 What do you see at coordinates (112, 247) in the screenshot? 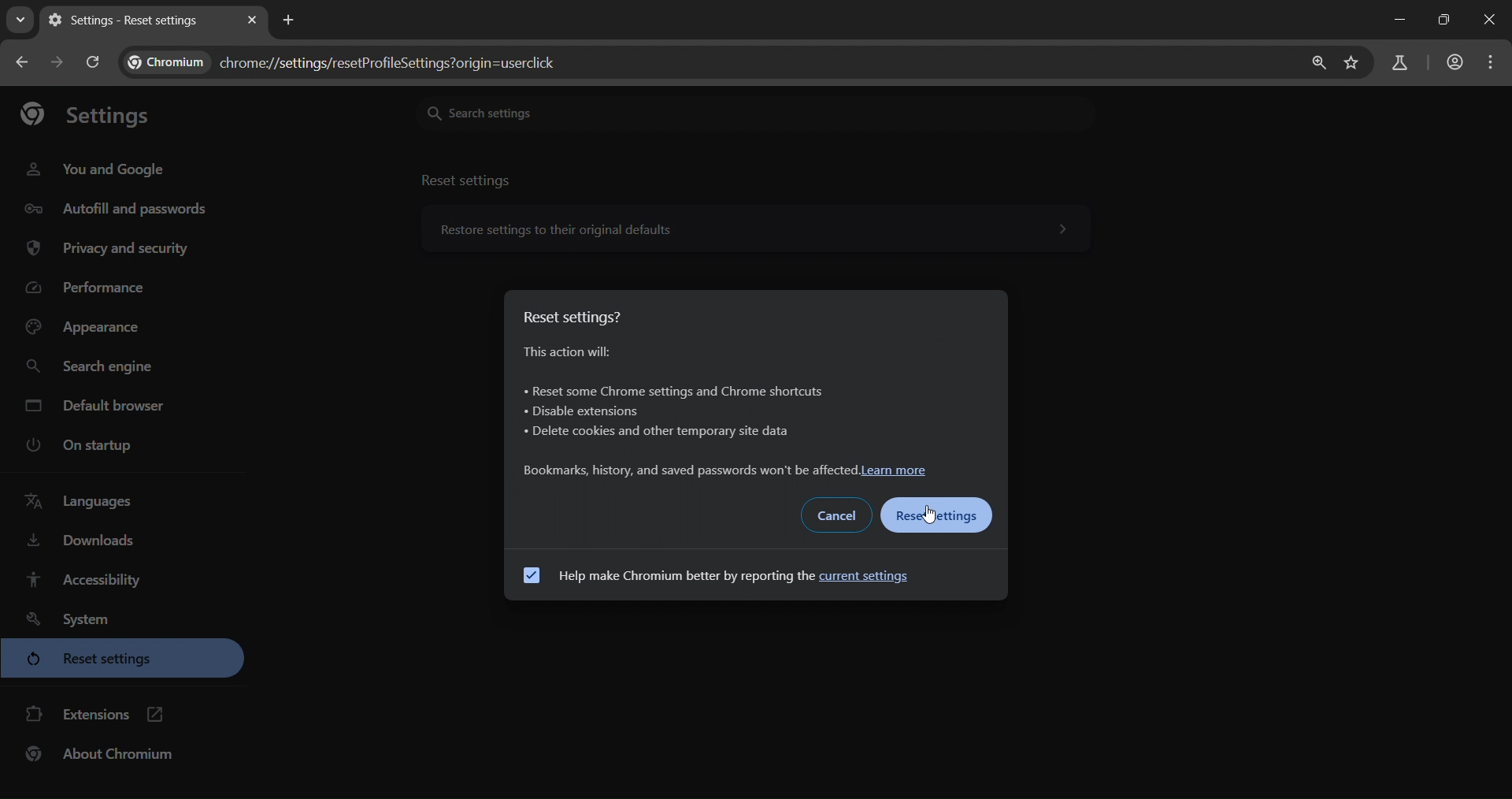
I see `privacy and security` at bounding box center [112, 247].